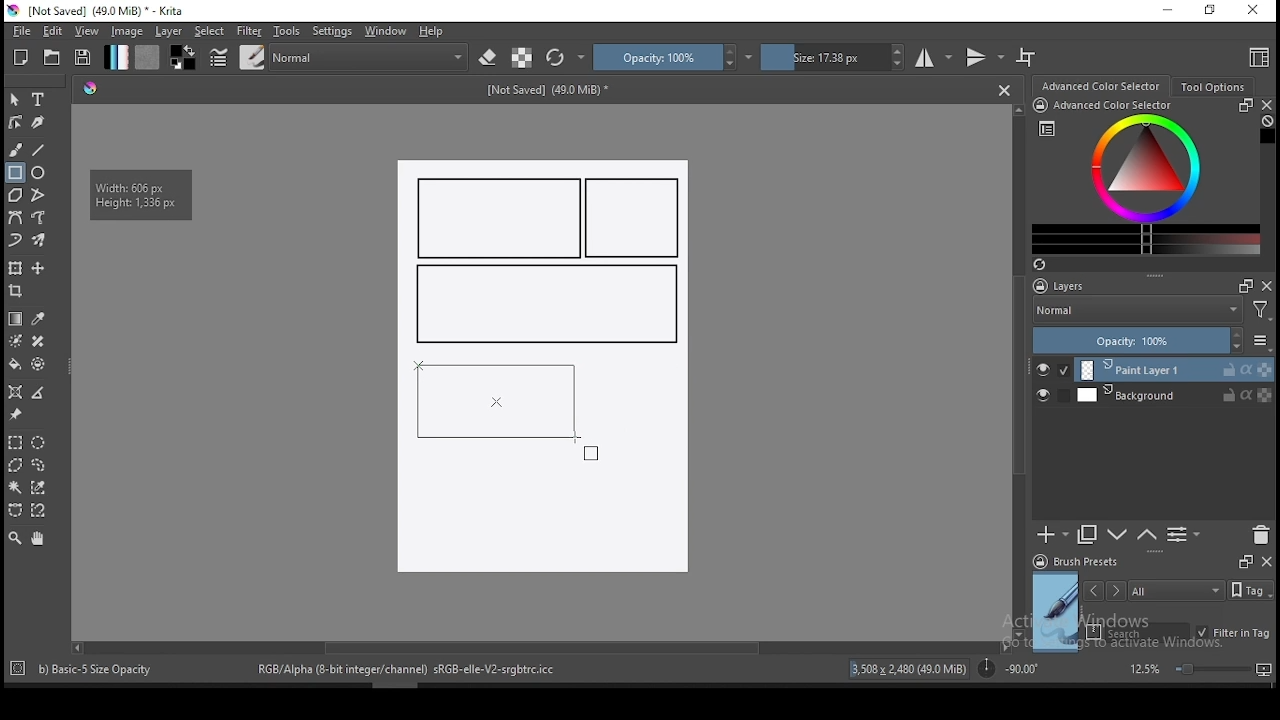 Image resolution: width=1280 pixels, height=720 pixels. Describe the element at coordinates (1027, 57) in the screenshot. I see `wrap around mode` at that location.